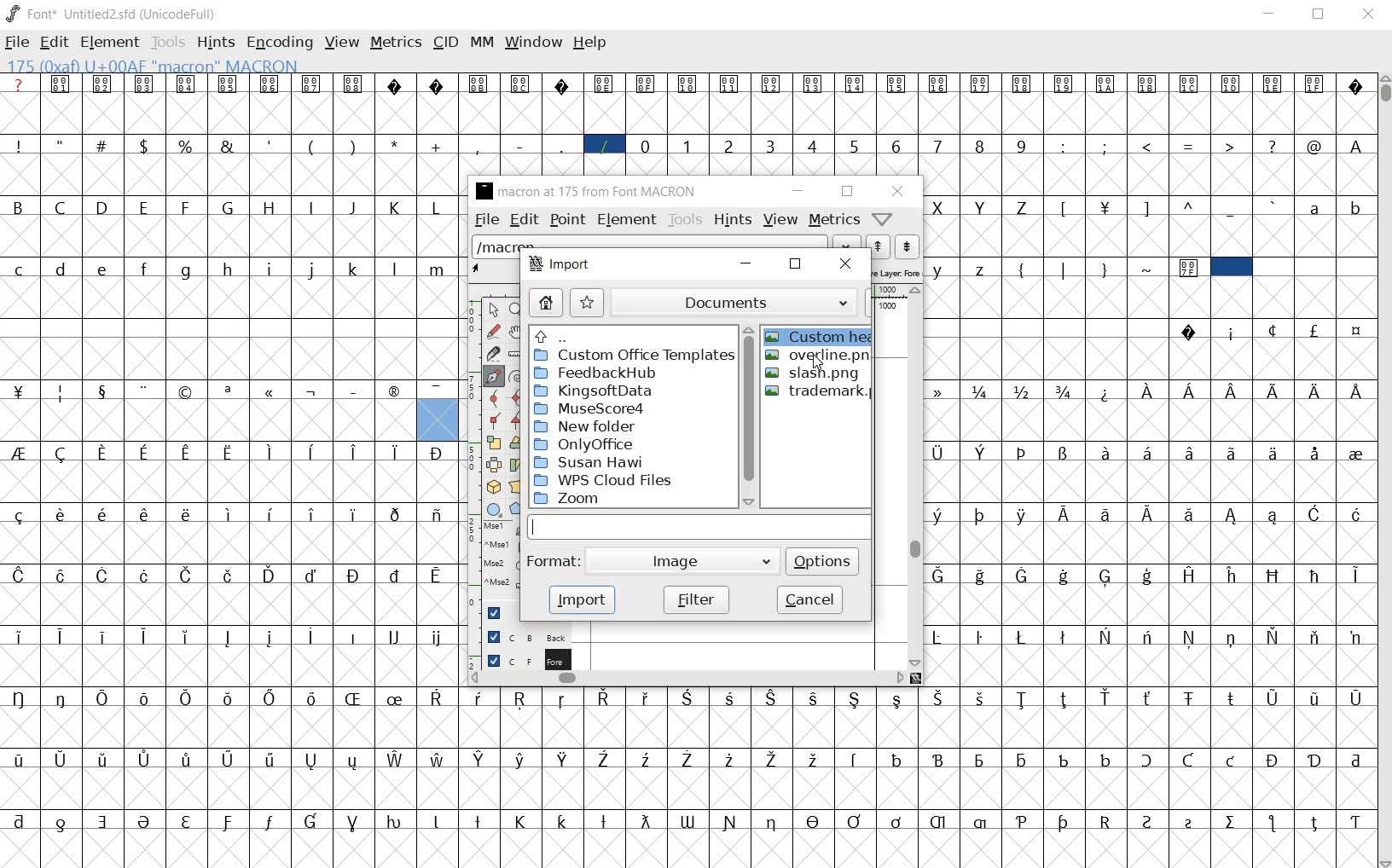  Describe the element at coordinates (1066, 822) in the screenshot. I see `Symbol` at that location.